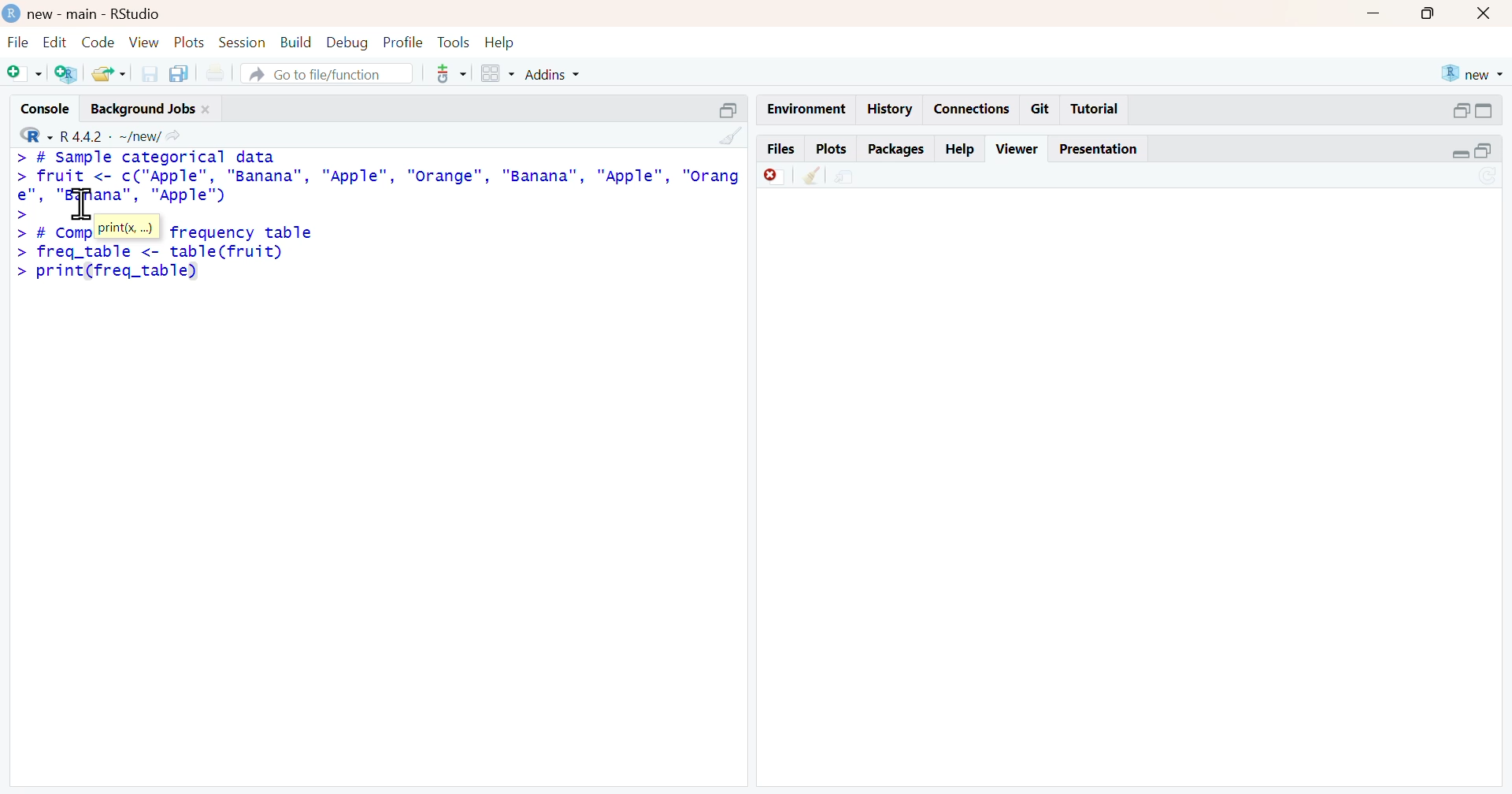  What do you see at coordinates (1455, 154) in the screenshot?
I see `expand` at bounding box center [1455, 154].